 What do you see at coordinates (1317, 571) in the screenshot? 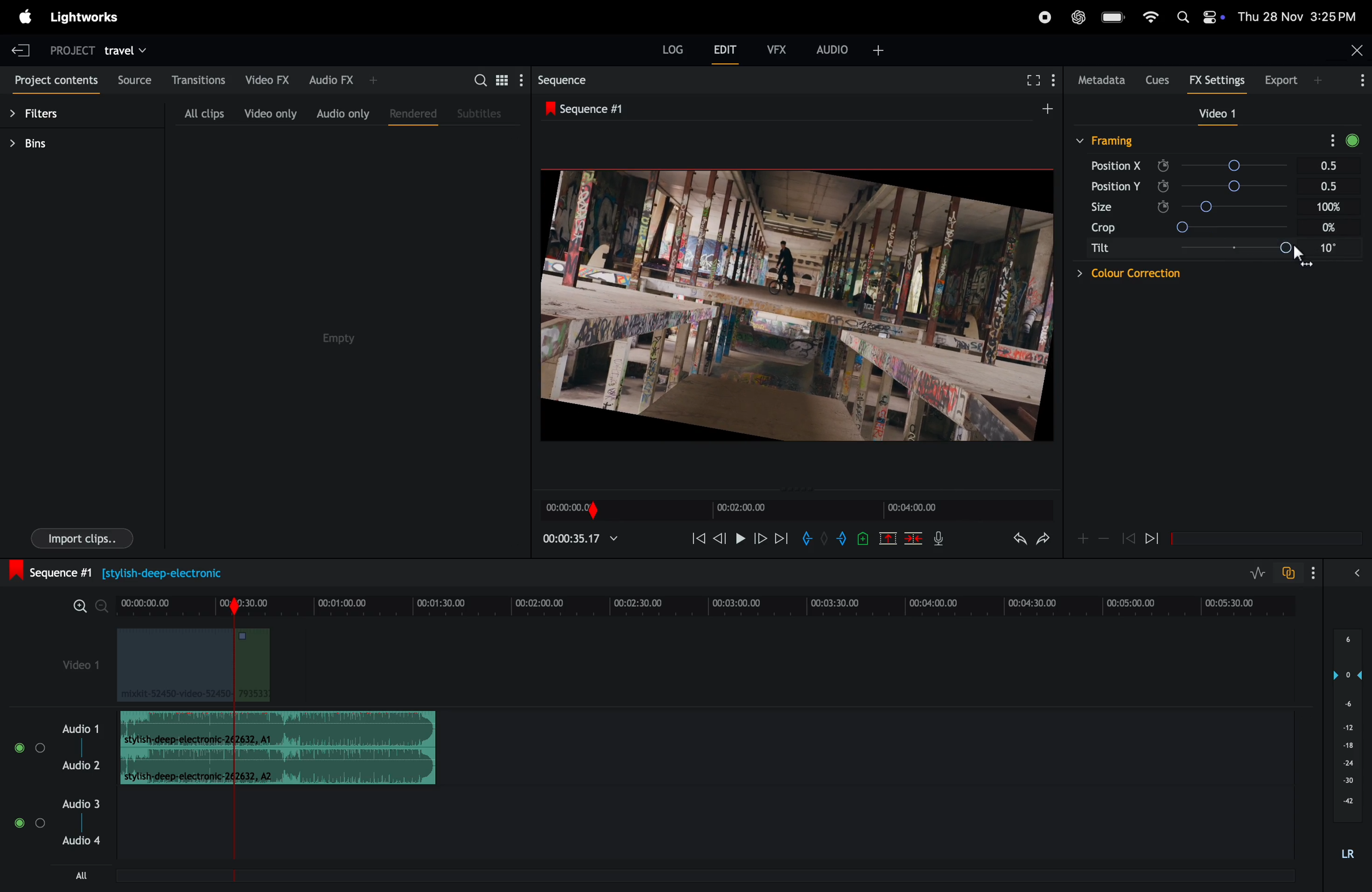
I see `Show settings menu` at bounding box center [1317, 571].